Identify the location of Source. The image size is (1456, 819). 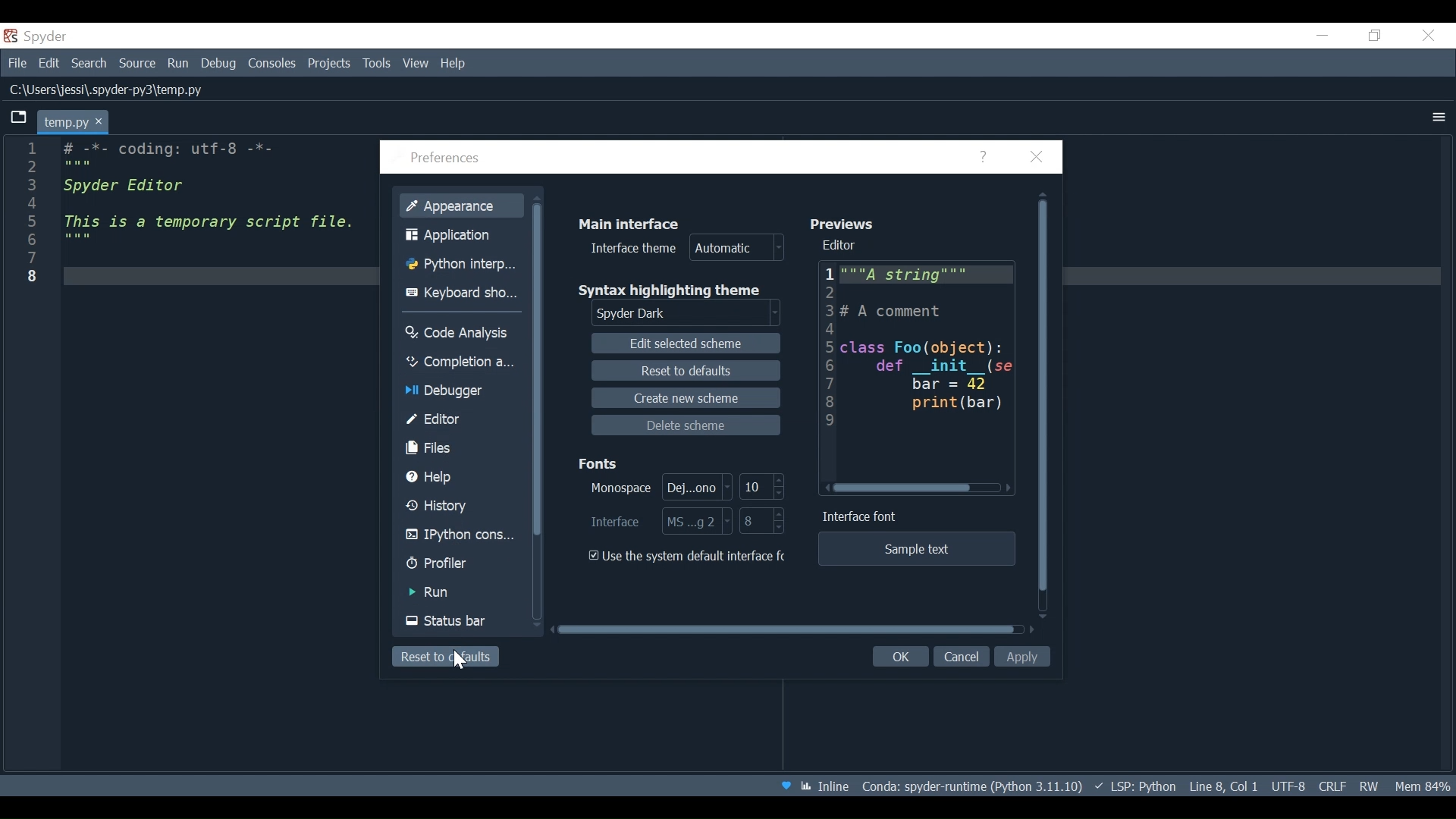
(138, 64).